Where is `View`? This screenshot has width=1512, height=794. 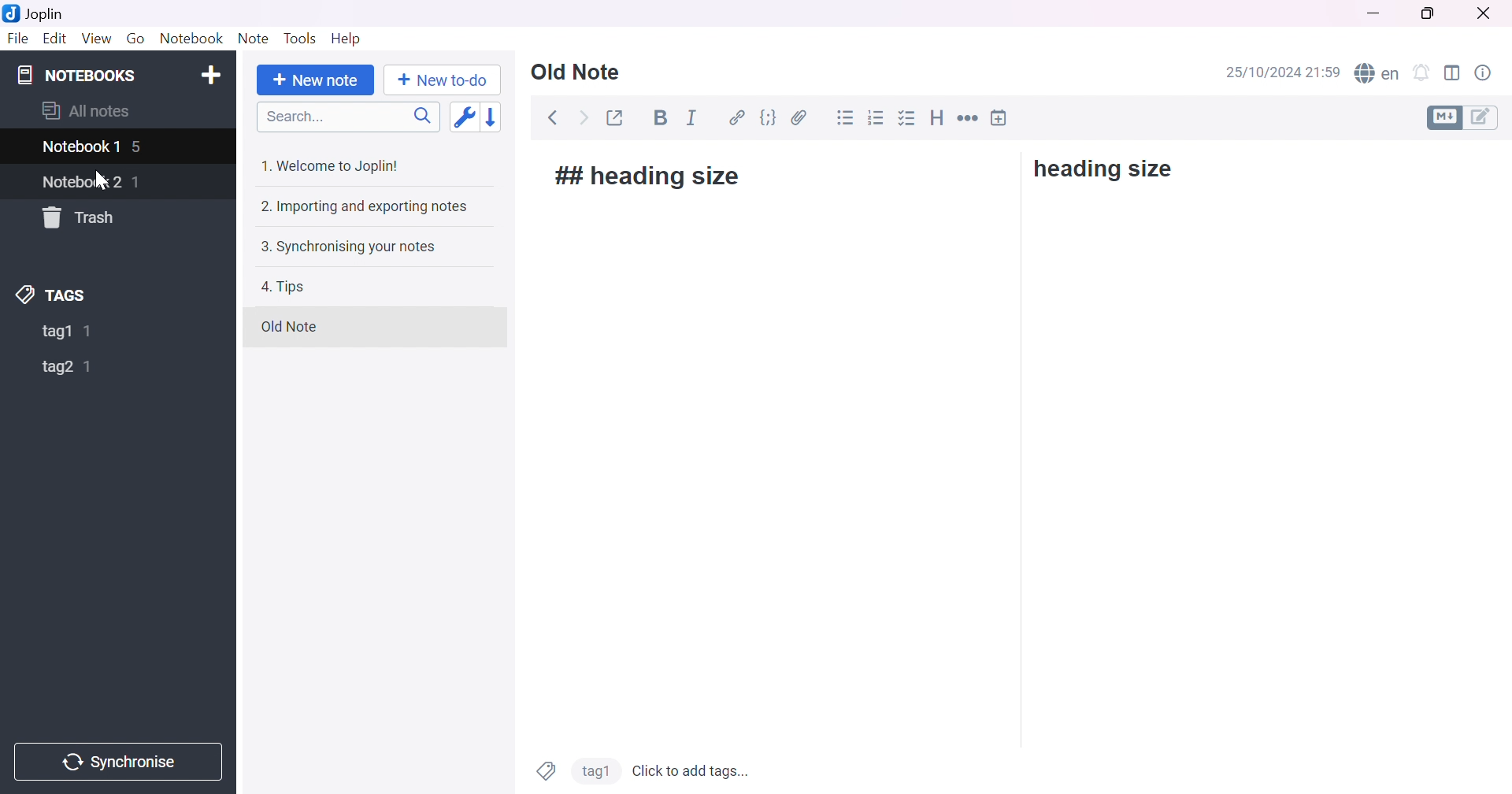 View is located at coordinates (98, 39).